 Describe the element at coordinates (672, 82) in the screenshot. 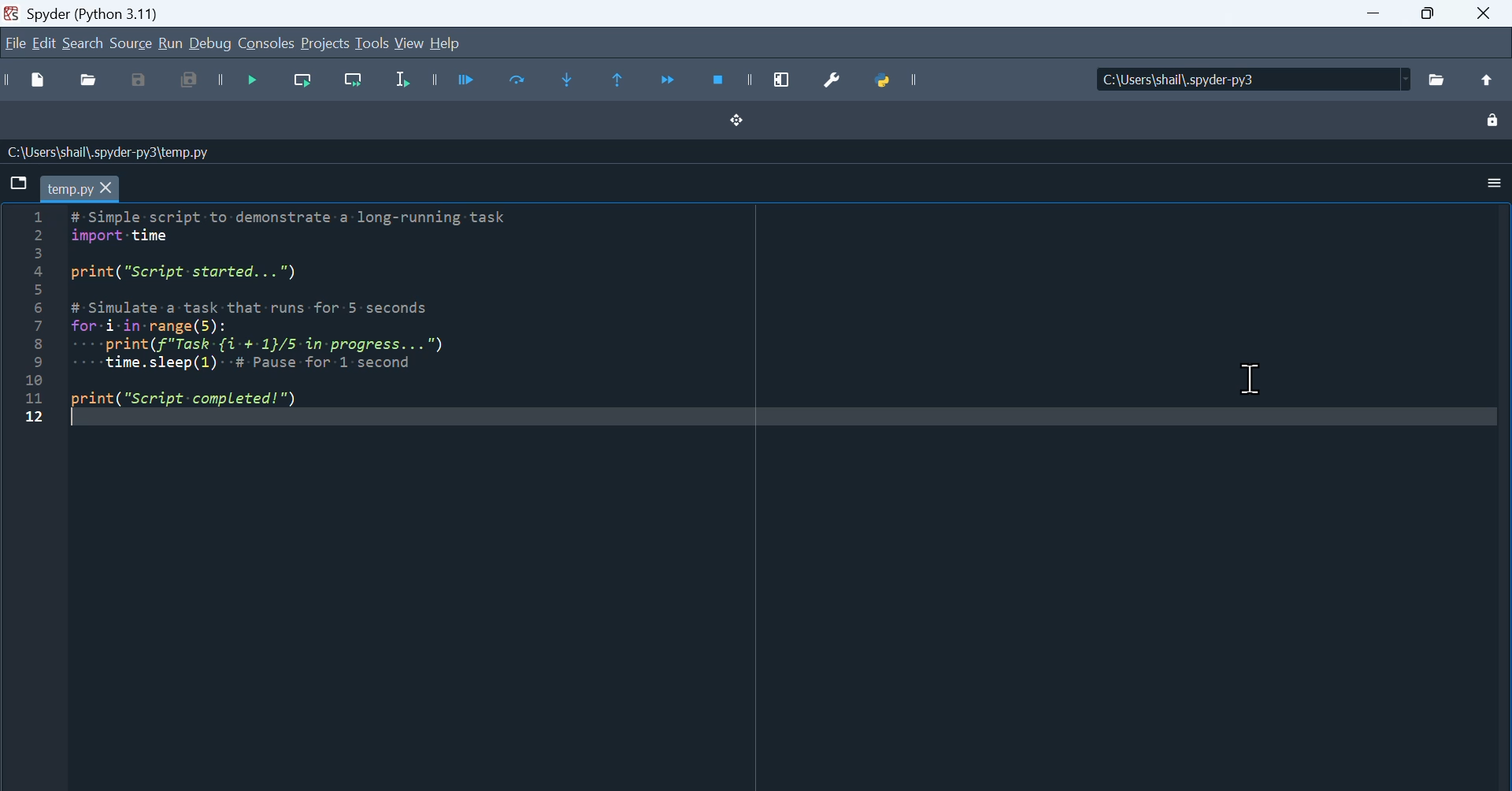

I see `Continue execution until next function` at that location.